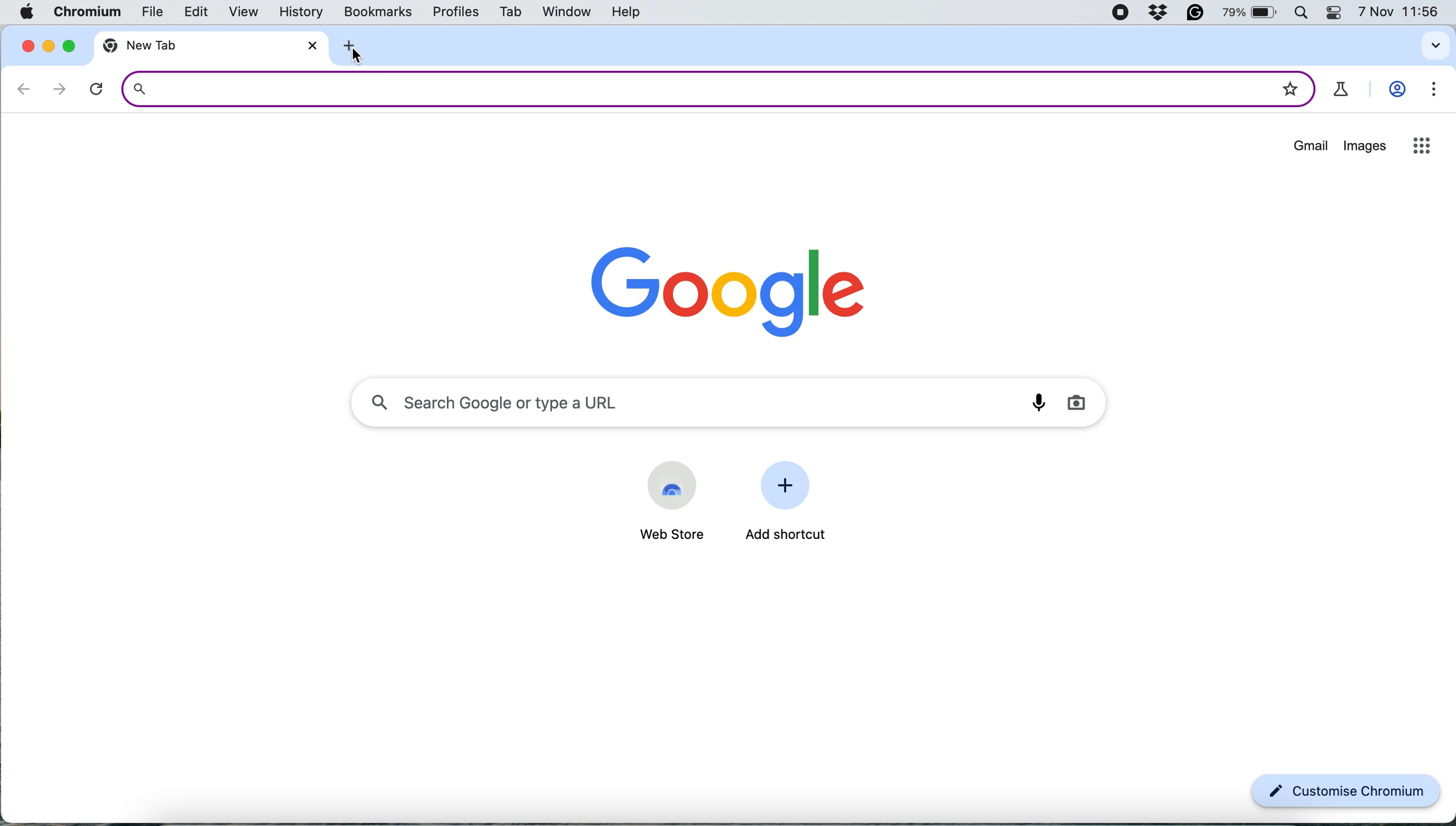 This screenshot has height=826, width=1456. Describe the element at coordinates (632, 11) in the screenshot. I see `help` at that location.